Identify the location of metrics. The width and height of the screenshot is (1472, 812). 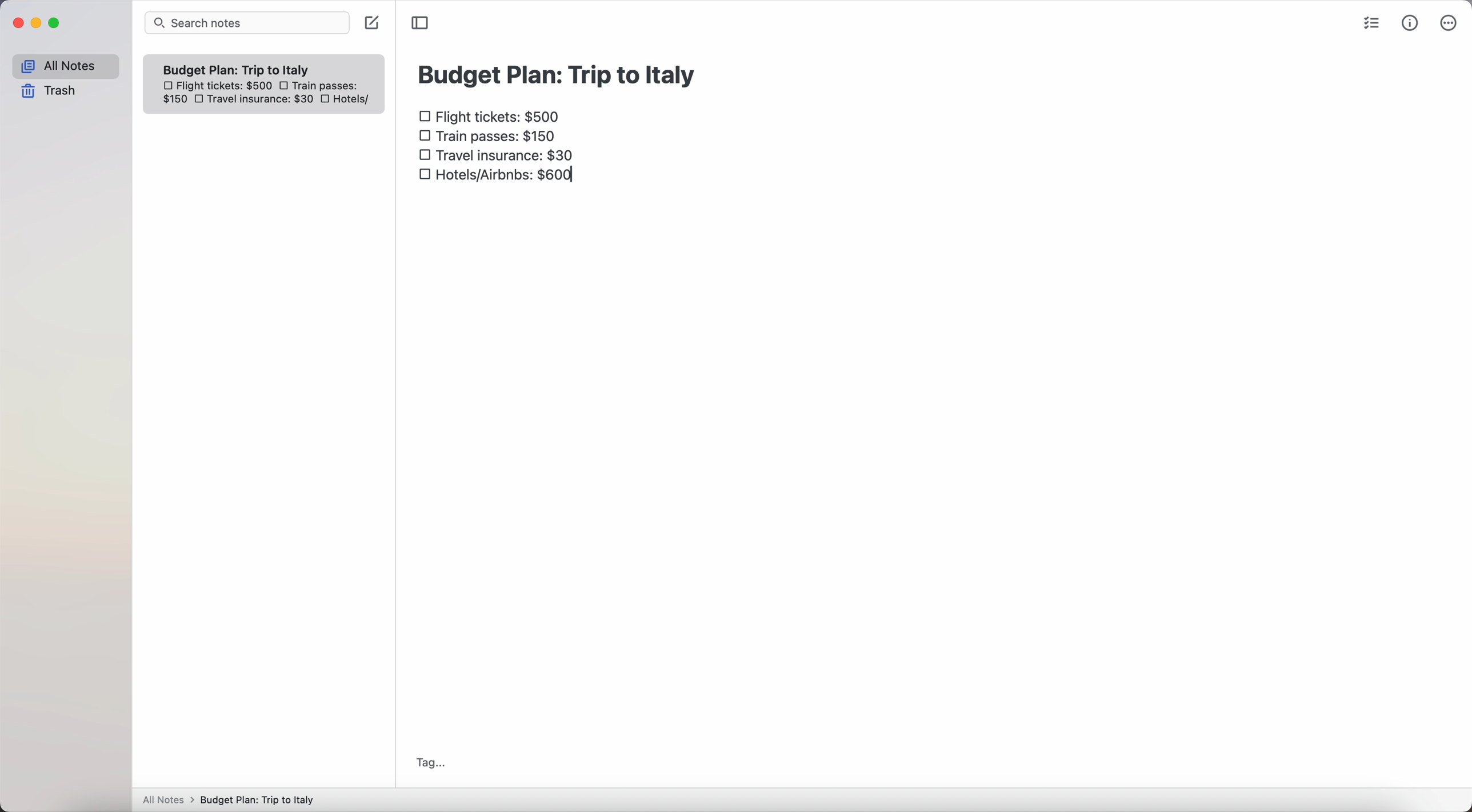
(1410, 25).